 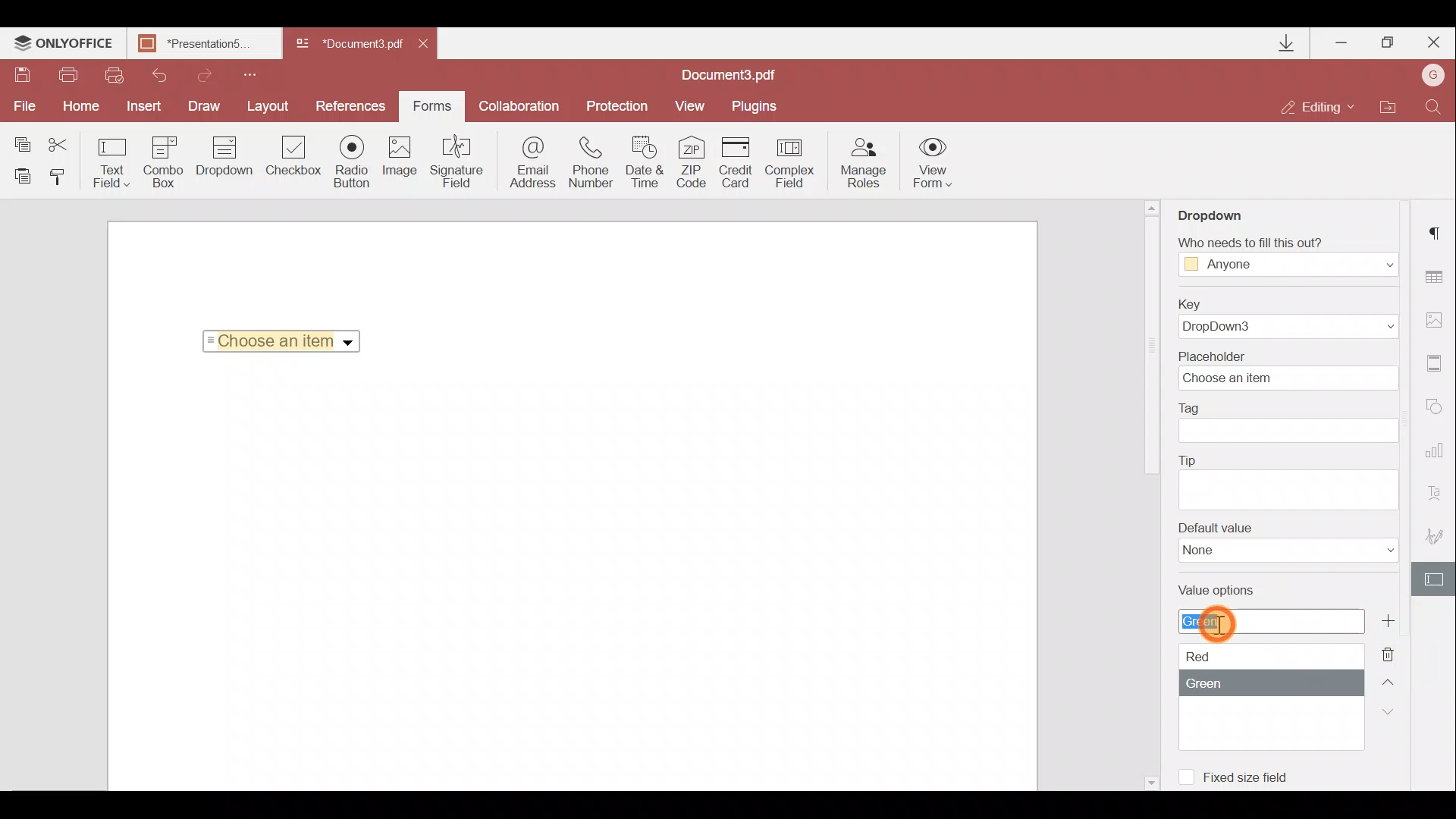 I want to click on Email address, so click(x=527, y=166).